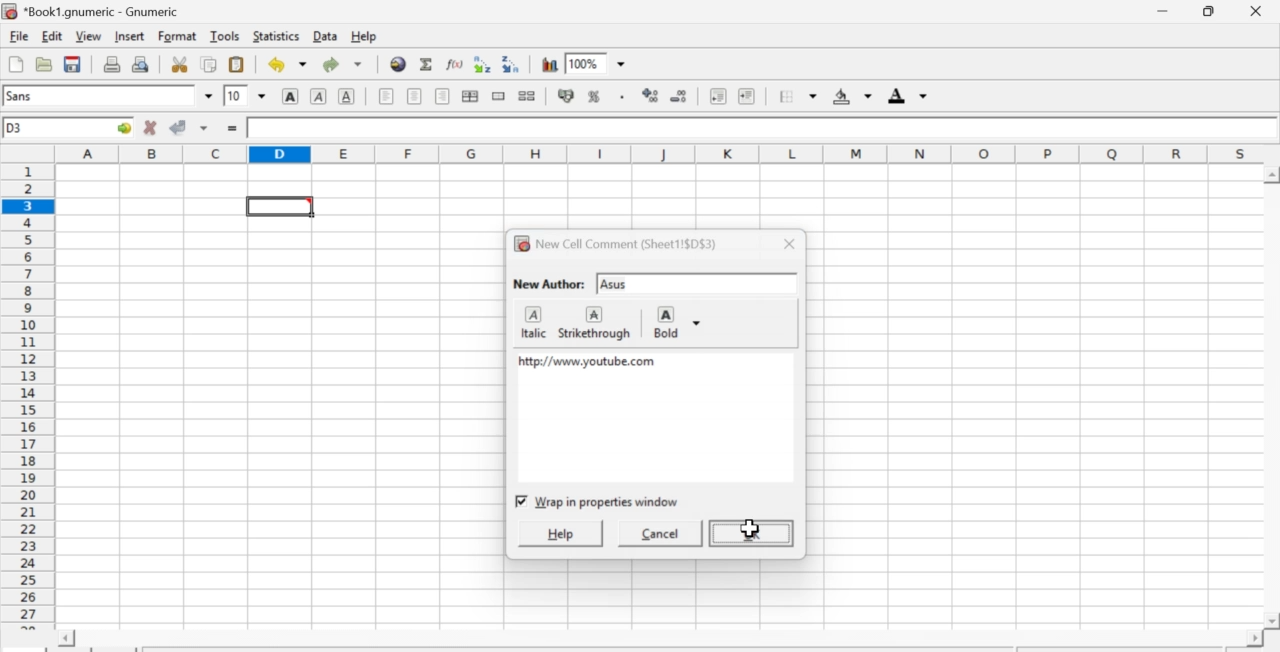  I want to click on Print preview, so click(144, 64).